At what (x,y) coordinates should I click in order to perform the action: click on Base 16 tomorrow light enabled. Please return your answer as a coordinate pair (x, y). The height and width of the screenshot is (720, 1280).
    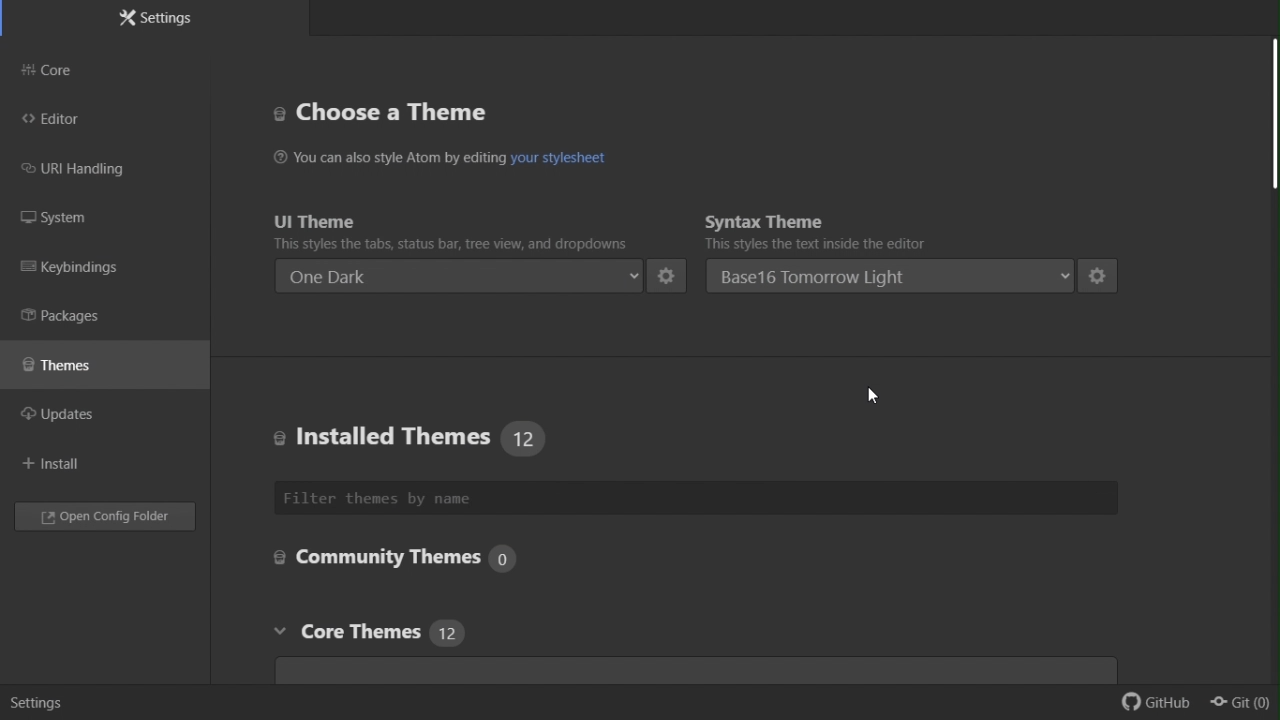
    Looking at the image, I should click on (887, 274).